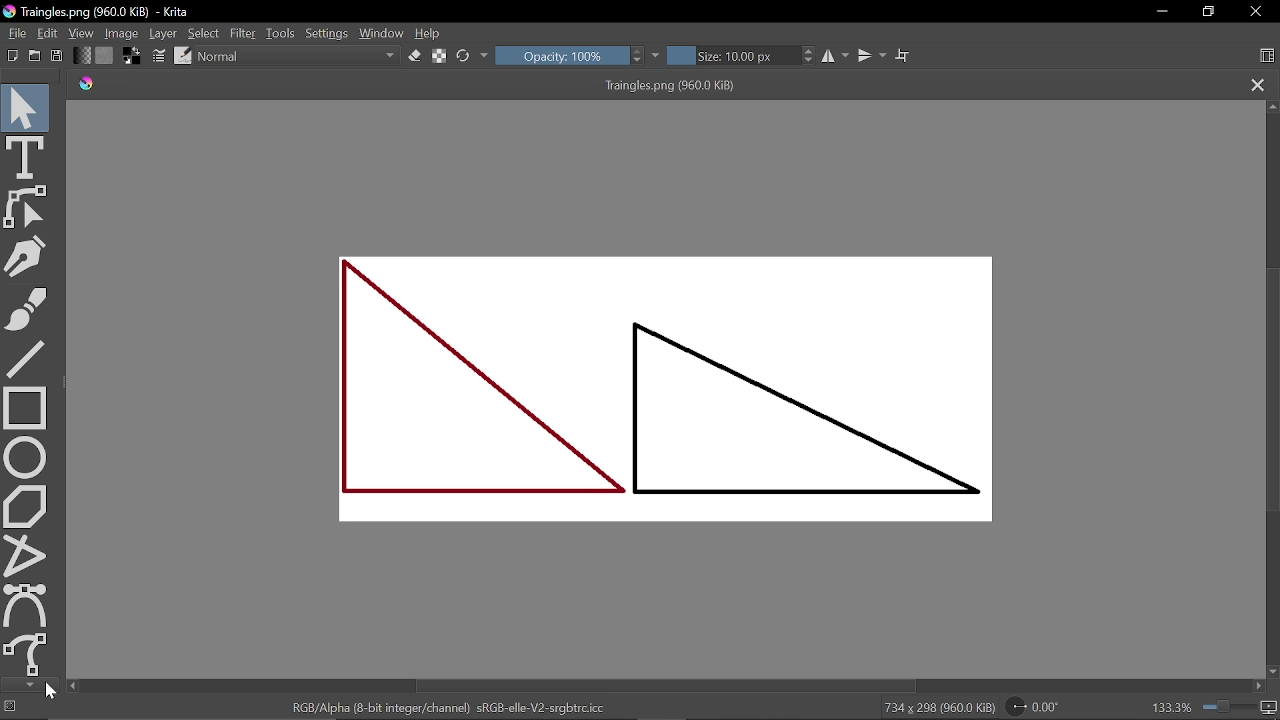  Describe the element at coordinates (87, 85) in the screenshot. I see `app icon` at that location.